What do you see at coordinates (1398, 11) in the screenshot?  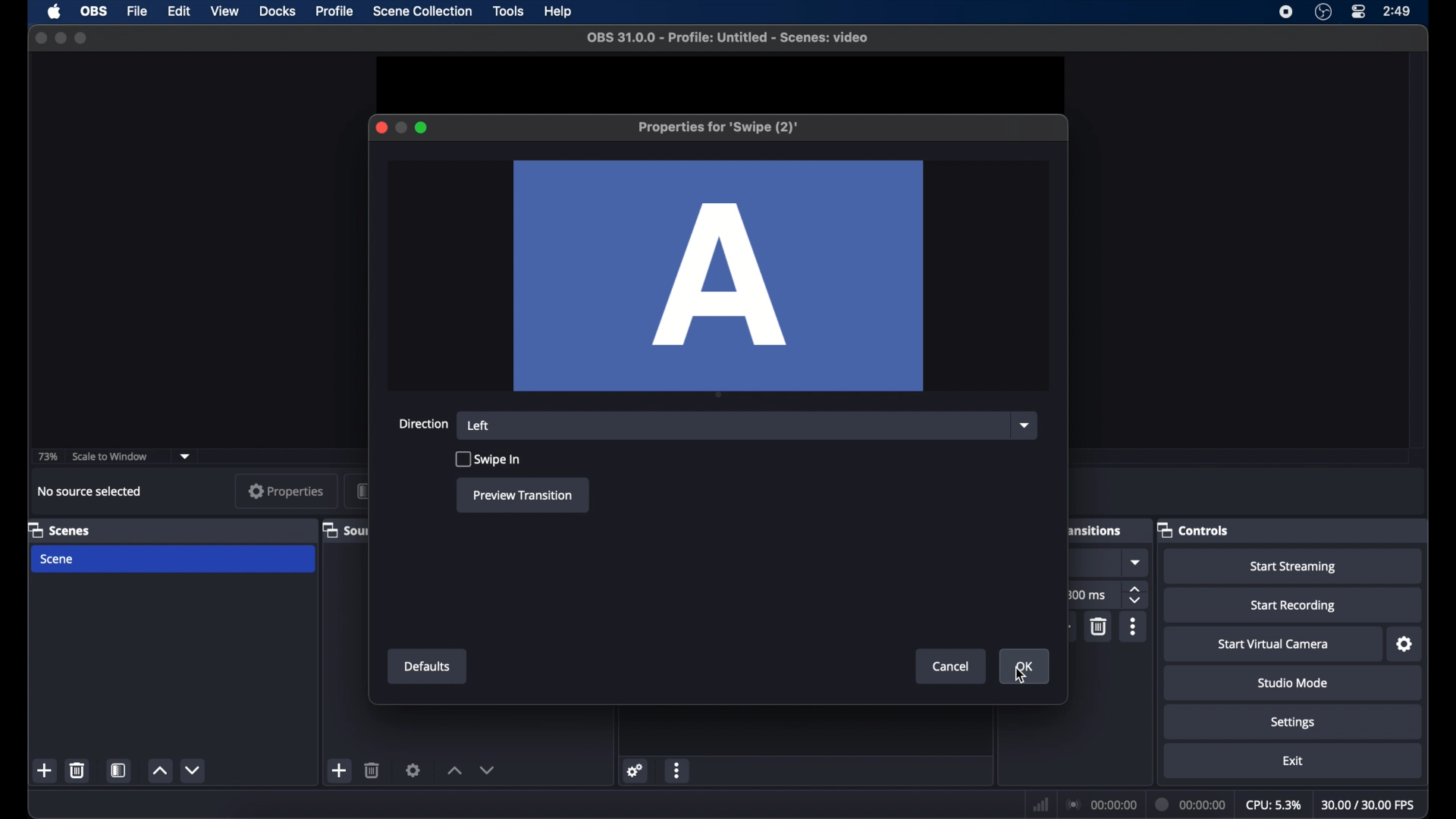 I see `time` at bounding box center [1398, 11].